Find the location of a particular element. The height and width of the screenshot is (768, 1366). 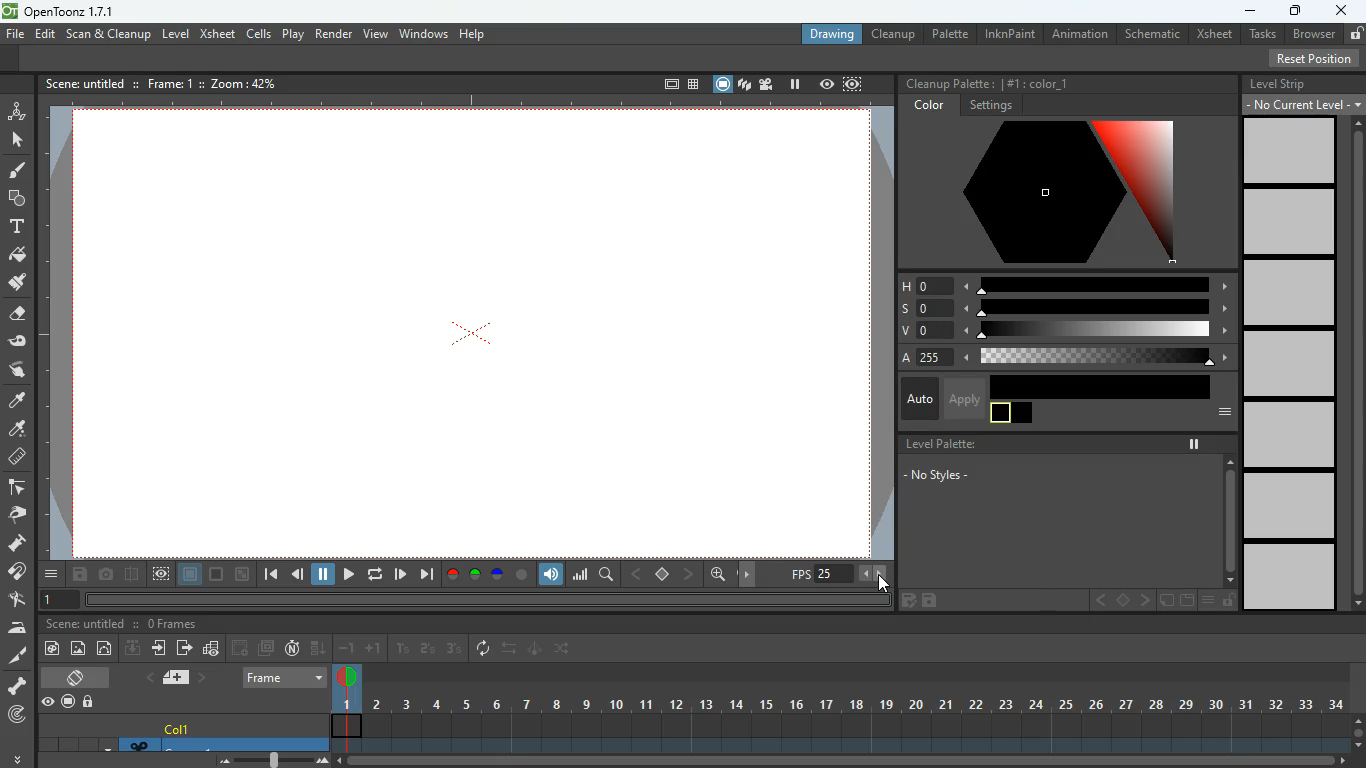

paint is located at coordinates (50, 649).